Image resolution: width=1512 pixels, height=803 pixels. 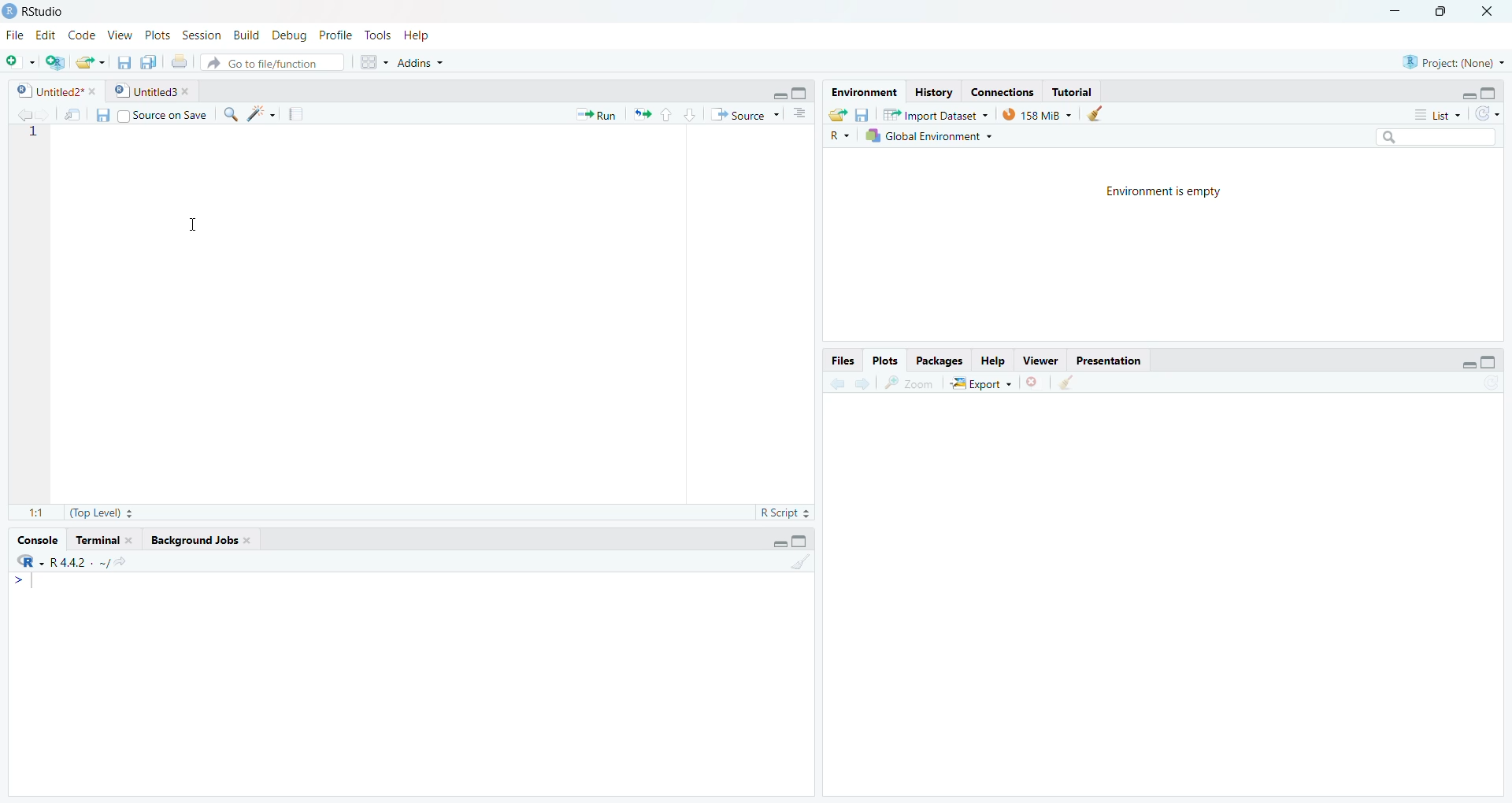 I want to click on Run, so click(x=595, y=114).